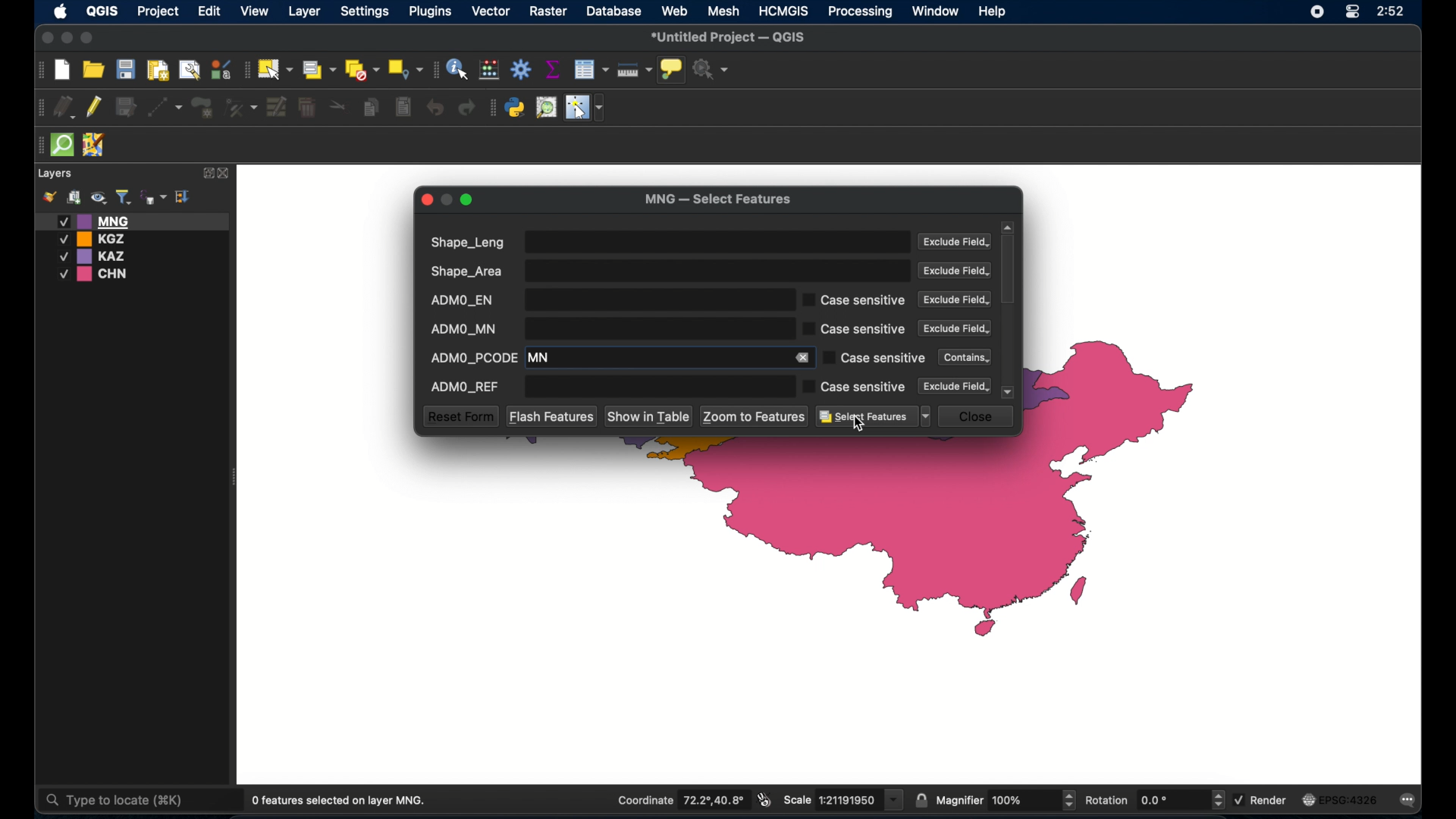 The width and height of the screenshot is (1456, 819). Describe the element at coordinates (427, 199) in the screenshot. I see `close` at that location.